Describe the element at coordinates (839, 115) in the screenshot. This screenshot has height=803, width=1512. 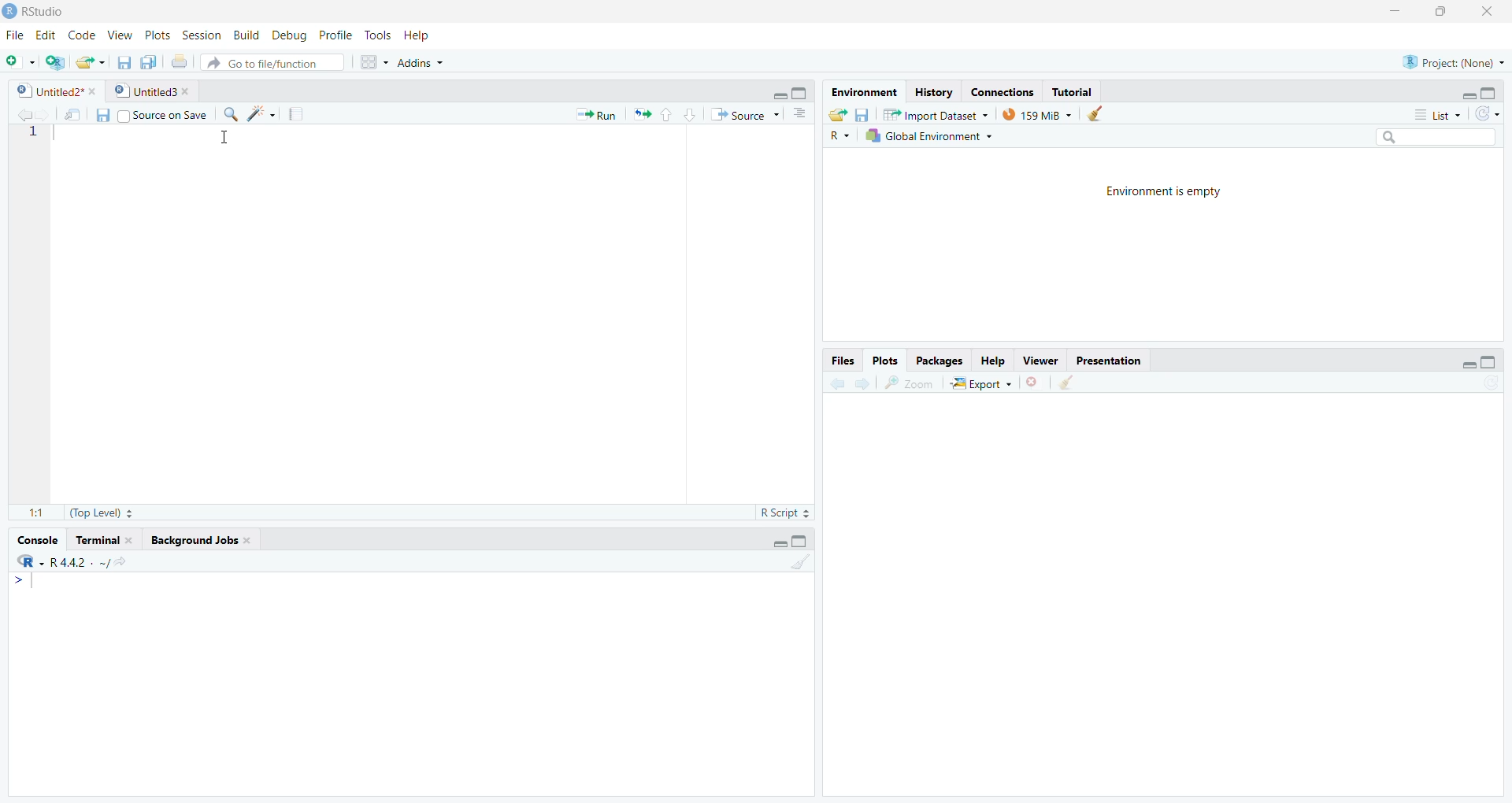
I see `Open folder` at that location.